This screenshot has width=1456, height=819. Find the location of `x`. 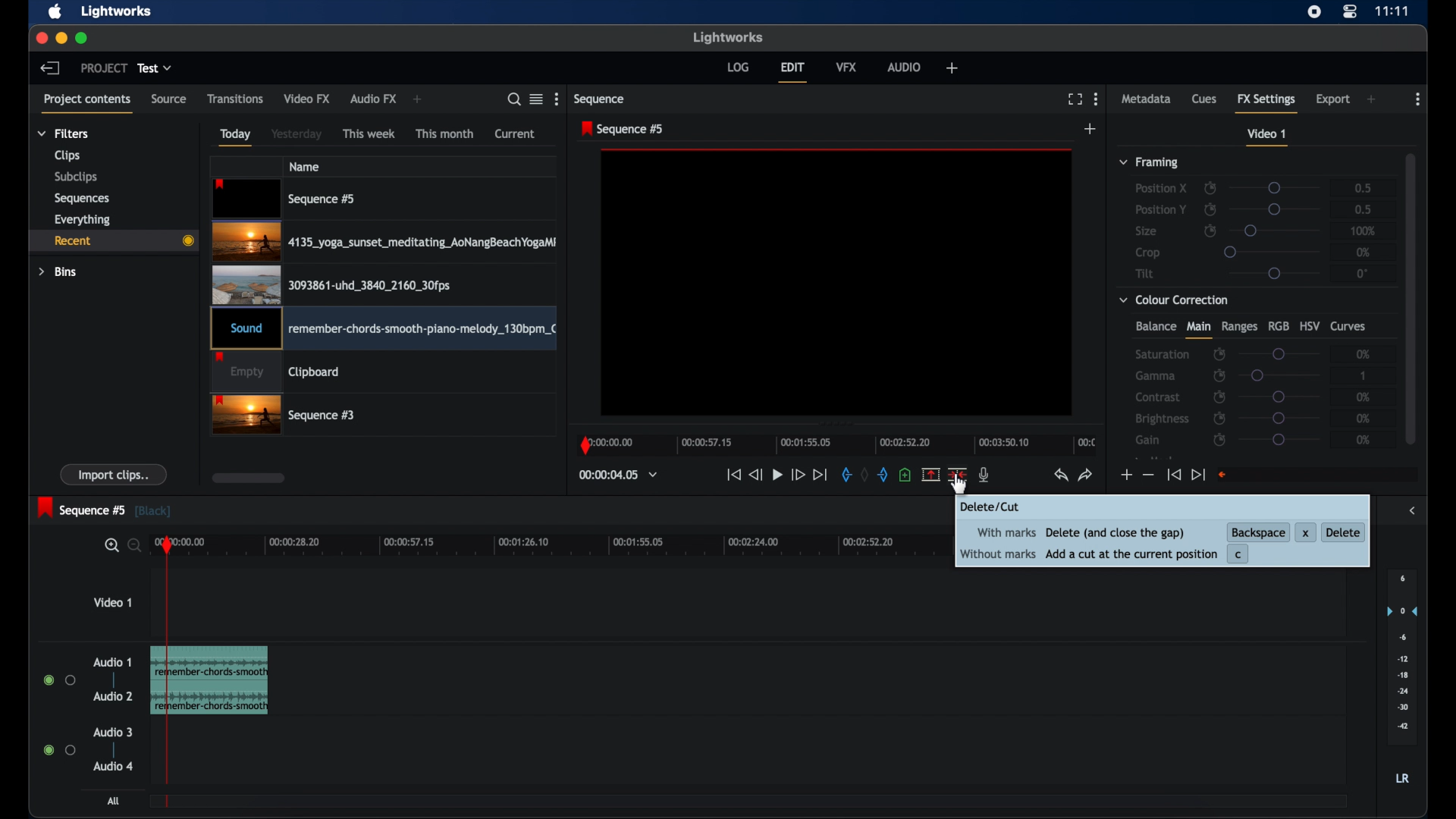

x is located at coordinates (1305, 530).